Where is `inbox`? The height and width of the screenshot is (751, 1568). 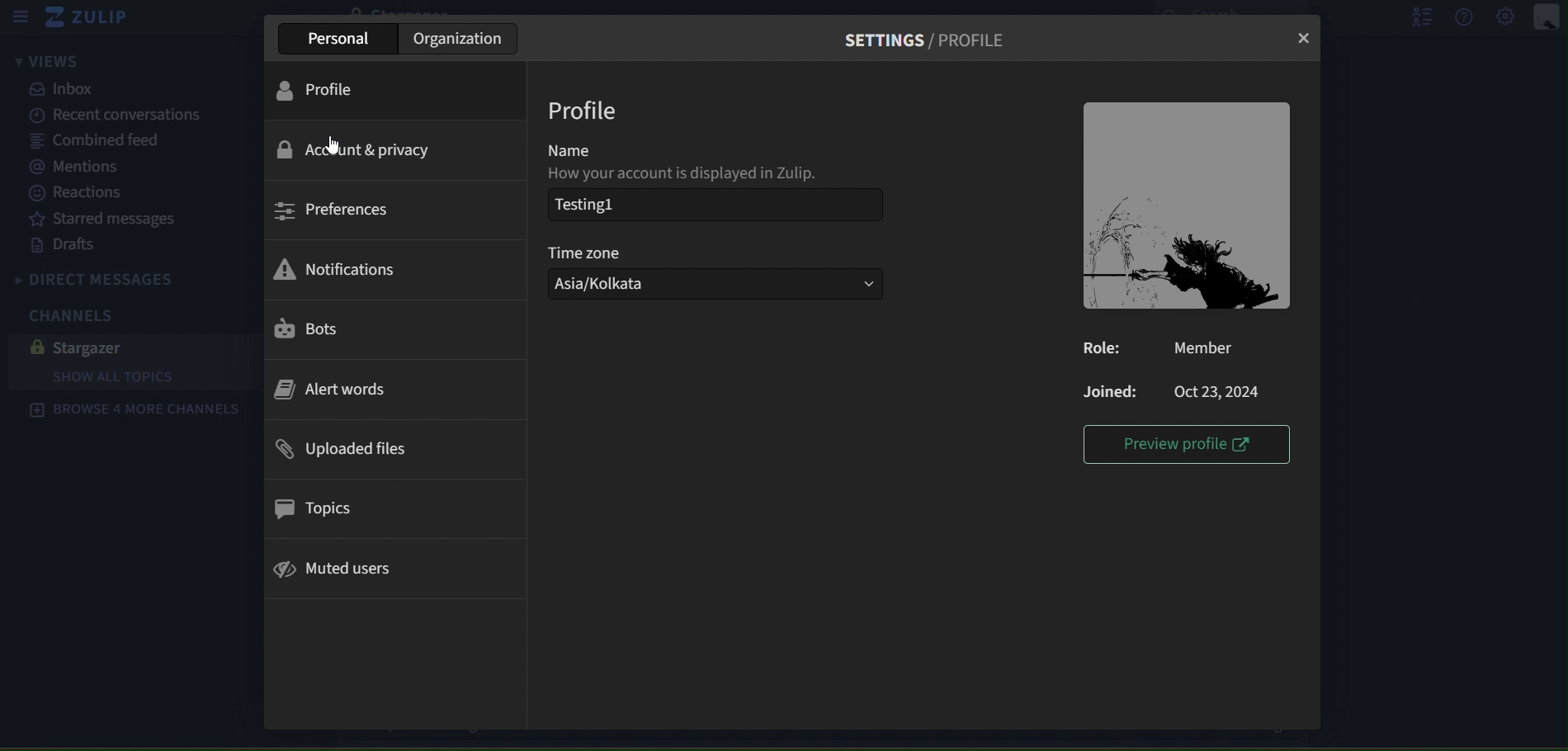
inbox is located at coordinates (67, 89).